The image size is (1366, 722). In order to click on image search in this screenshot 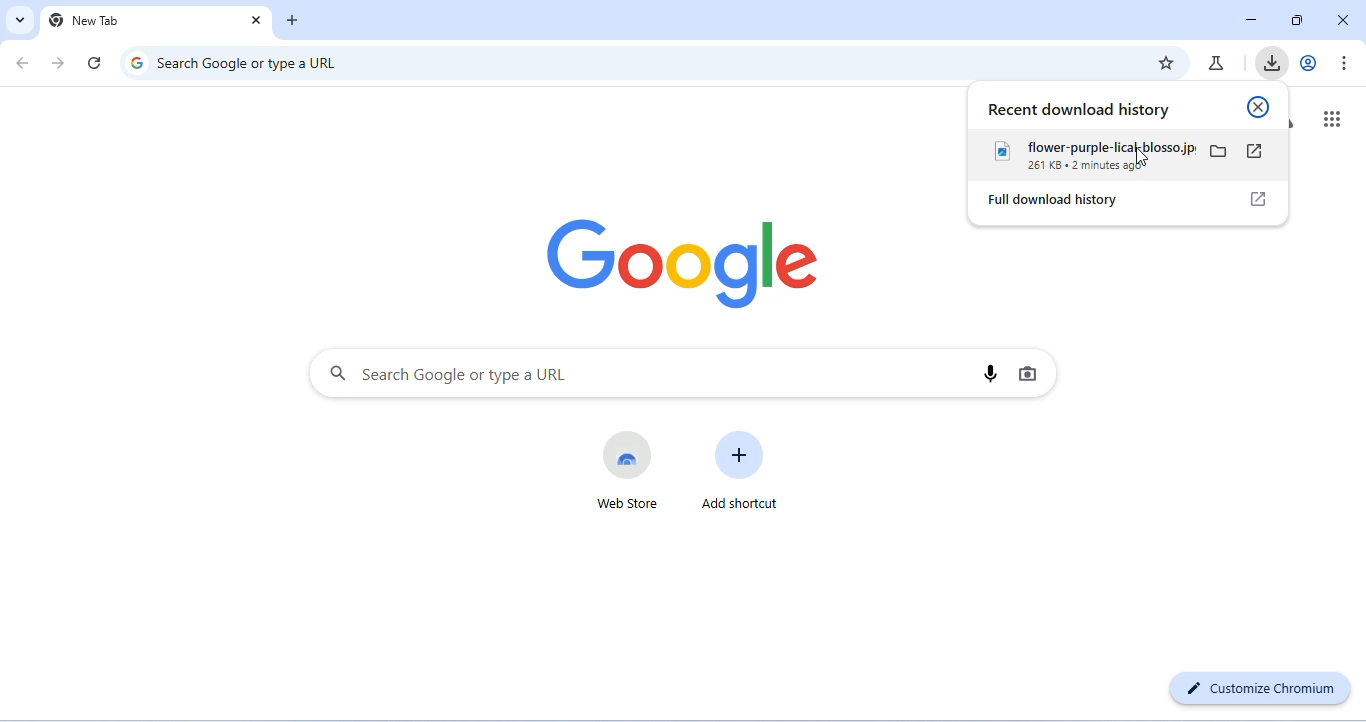, I will do `click(1030, 373)`.